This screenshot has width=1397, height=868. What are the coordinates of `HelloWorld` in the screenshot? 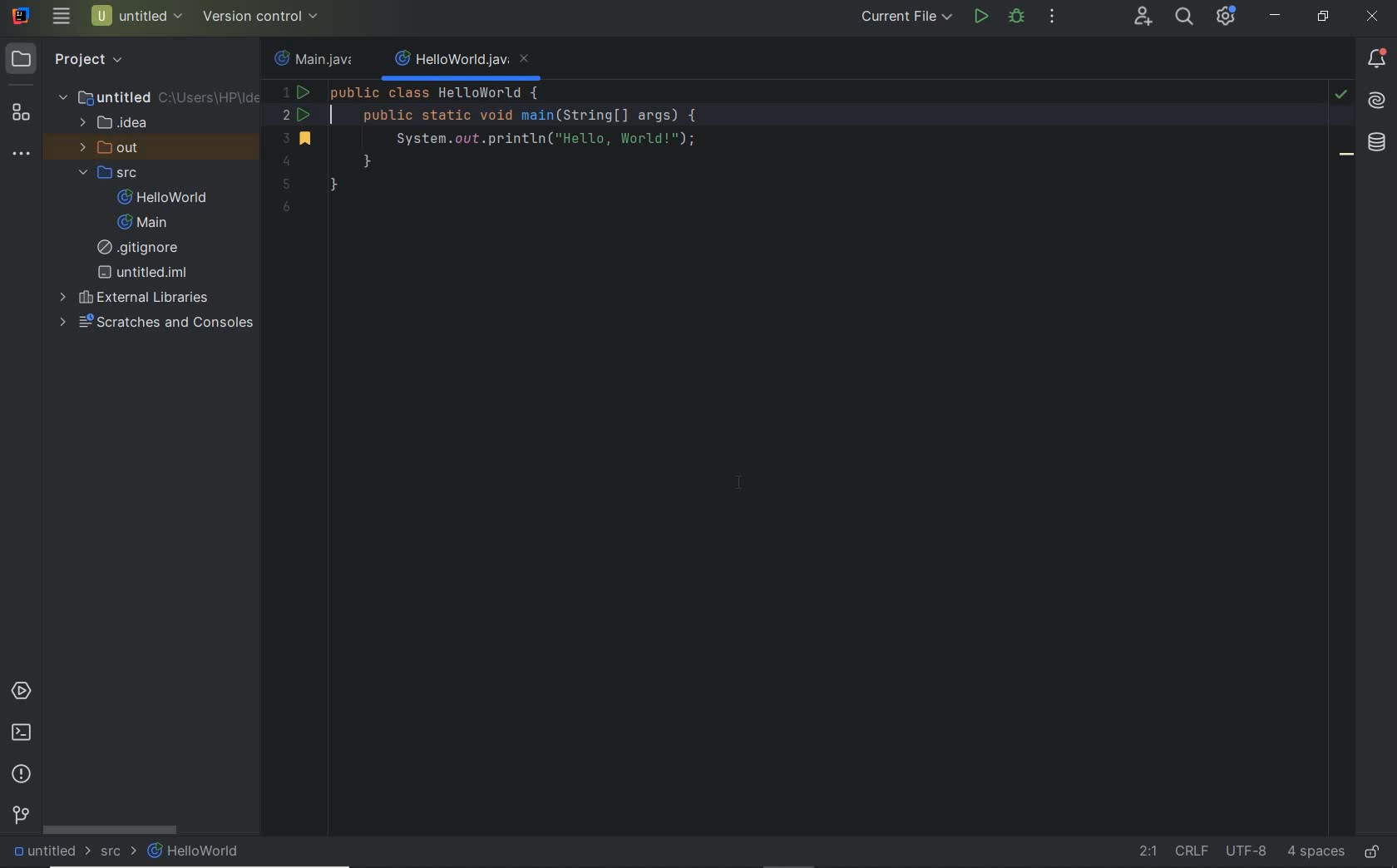 It's located at (166, 197).